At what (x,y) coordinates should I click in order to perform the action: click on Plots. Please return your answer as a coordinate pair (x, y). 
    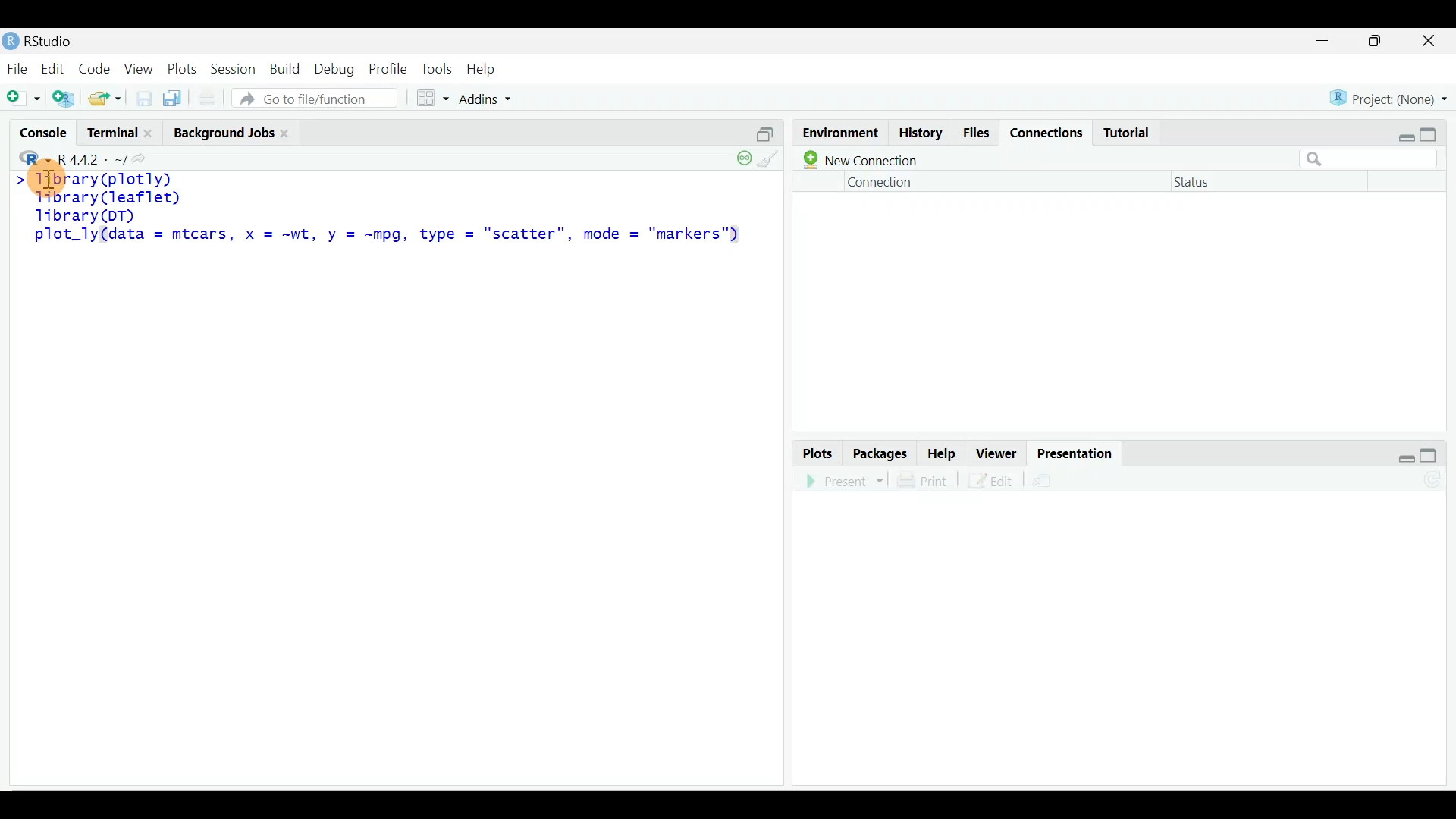
    Looking at the image, I should click on (815, 452).